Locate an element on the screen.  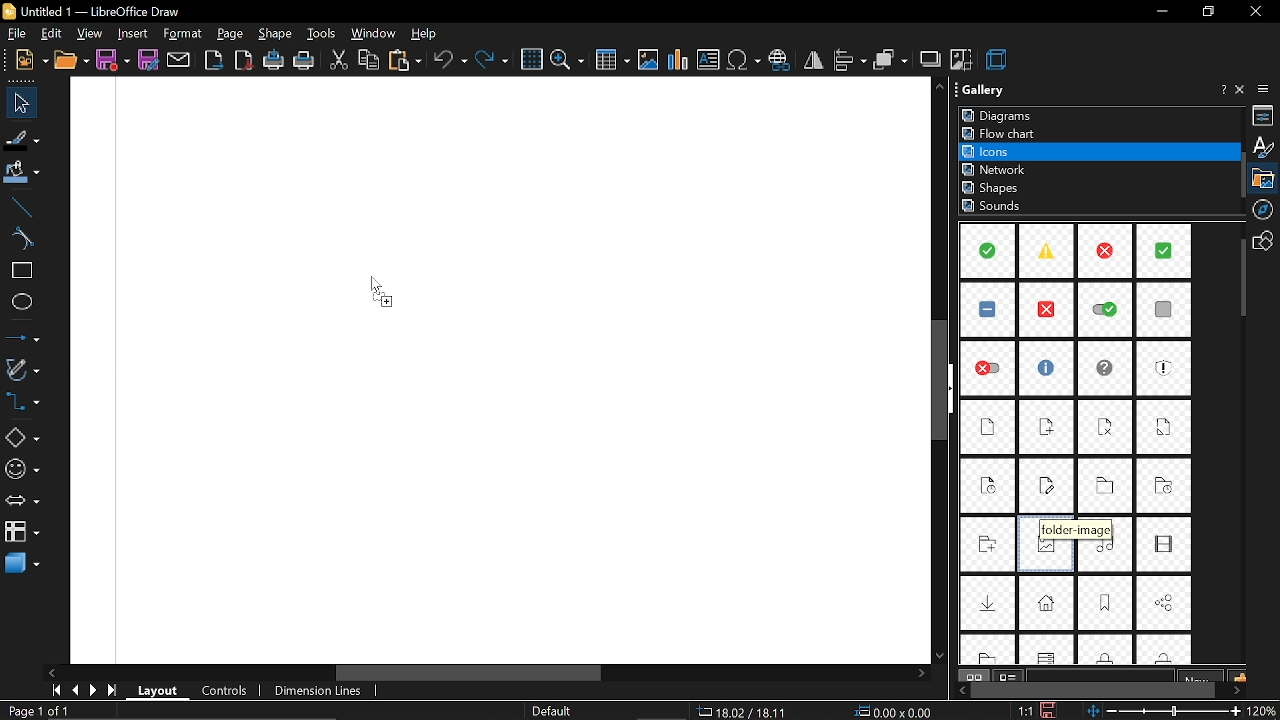
rectangle is located at coordinates (18, 271).